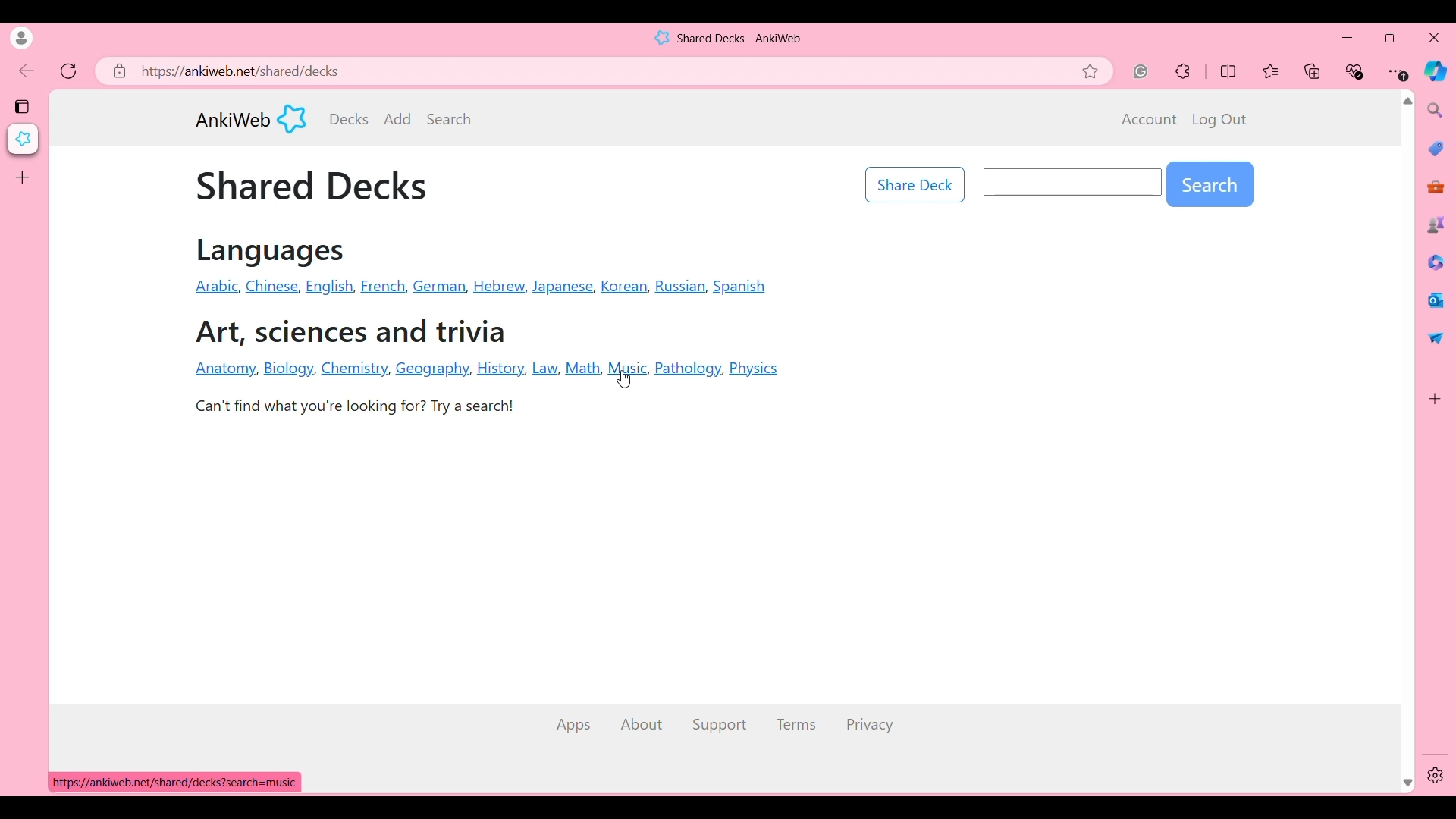 The width and height of the screenshot is (1456, 819). Describe the element at coordinates (662, 36) in the screenshot. I see `Software logo` at that location.